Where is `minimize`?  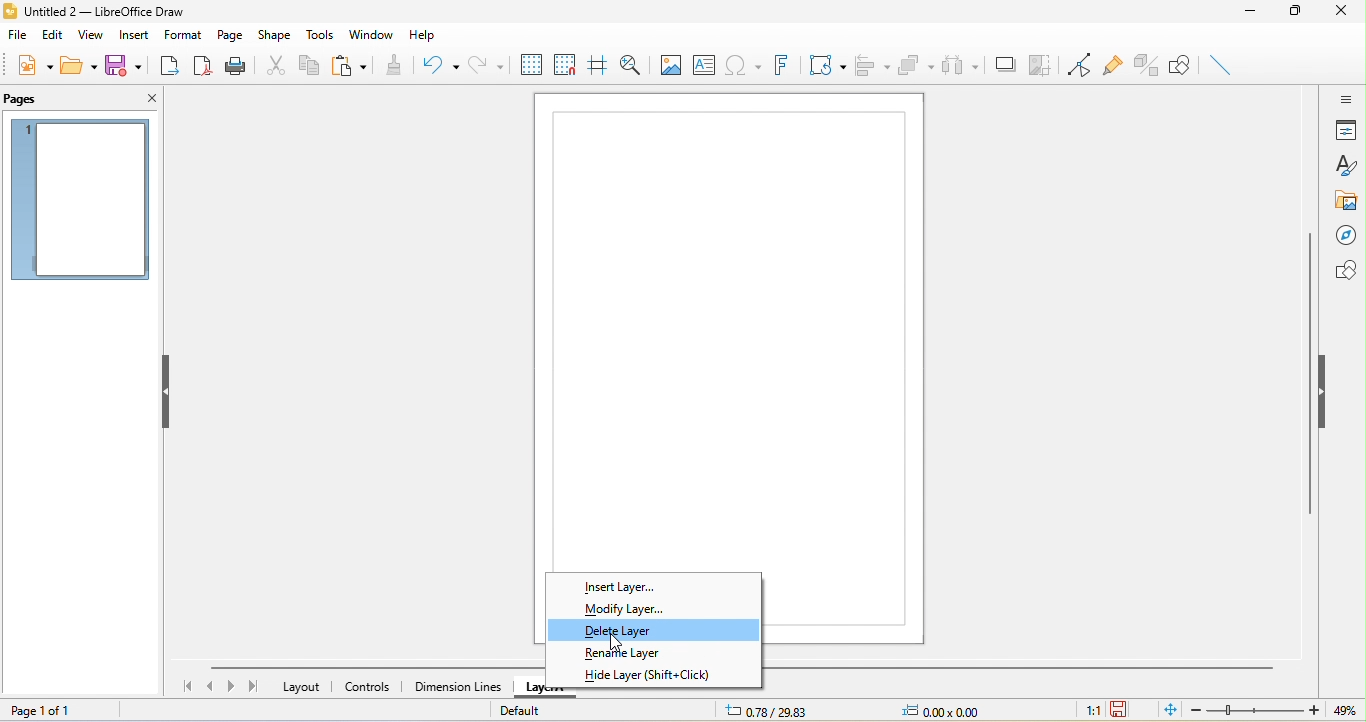
minimize is located at coordinates (1250, 13).